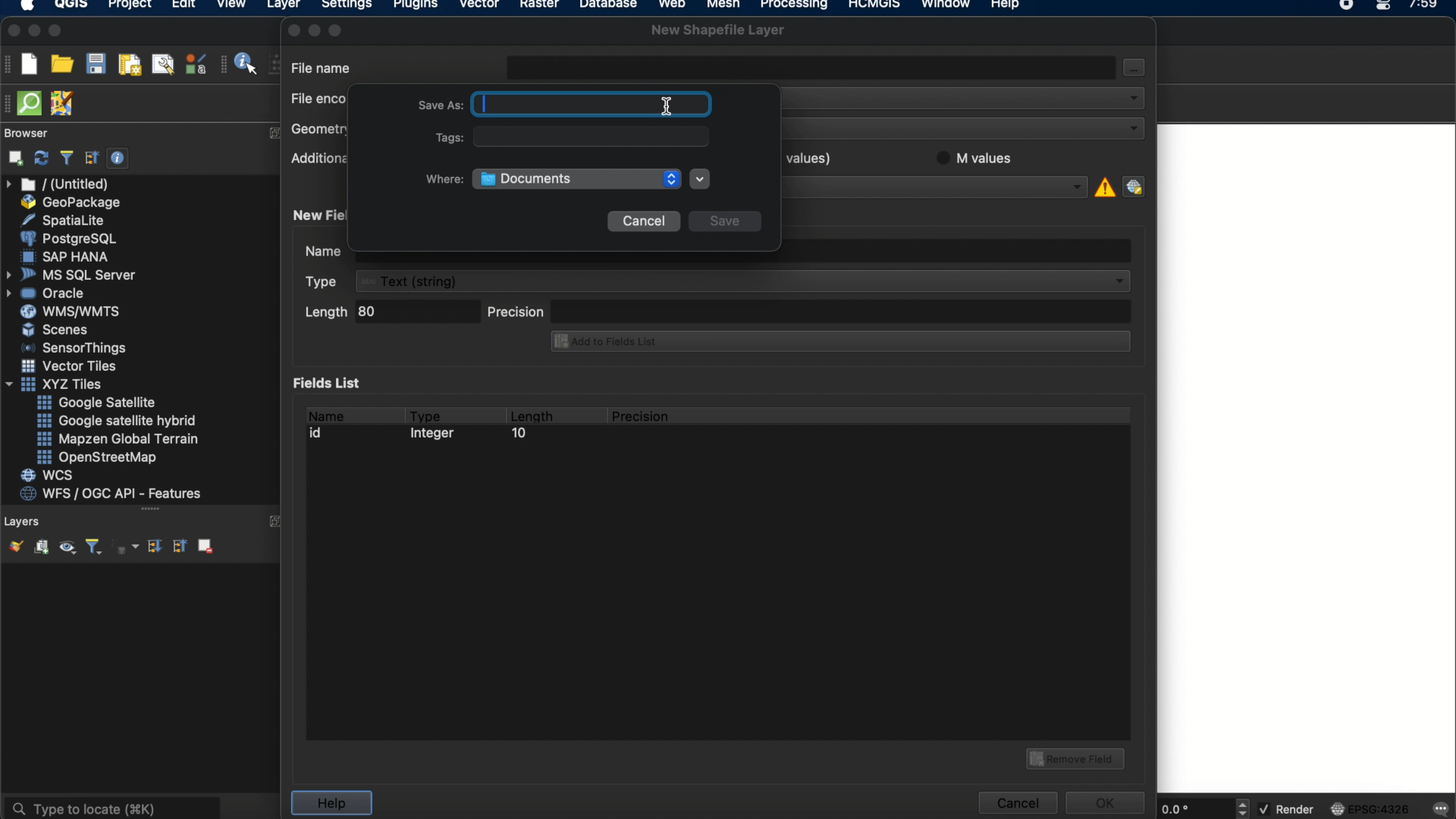  I want to click on select crs, so click(1134, 186).